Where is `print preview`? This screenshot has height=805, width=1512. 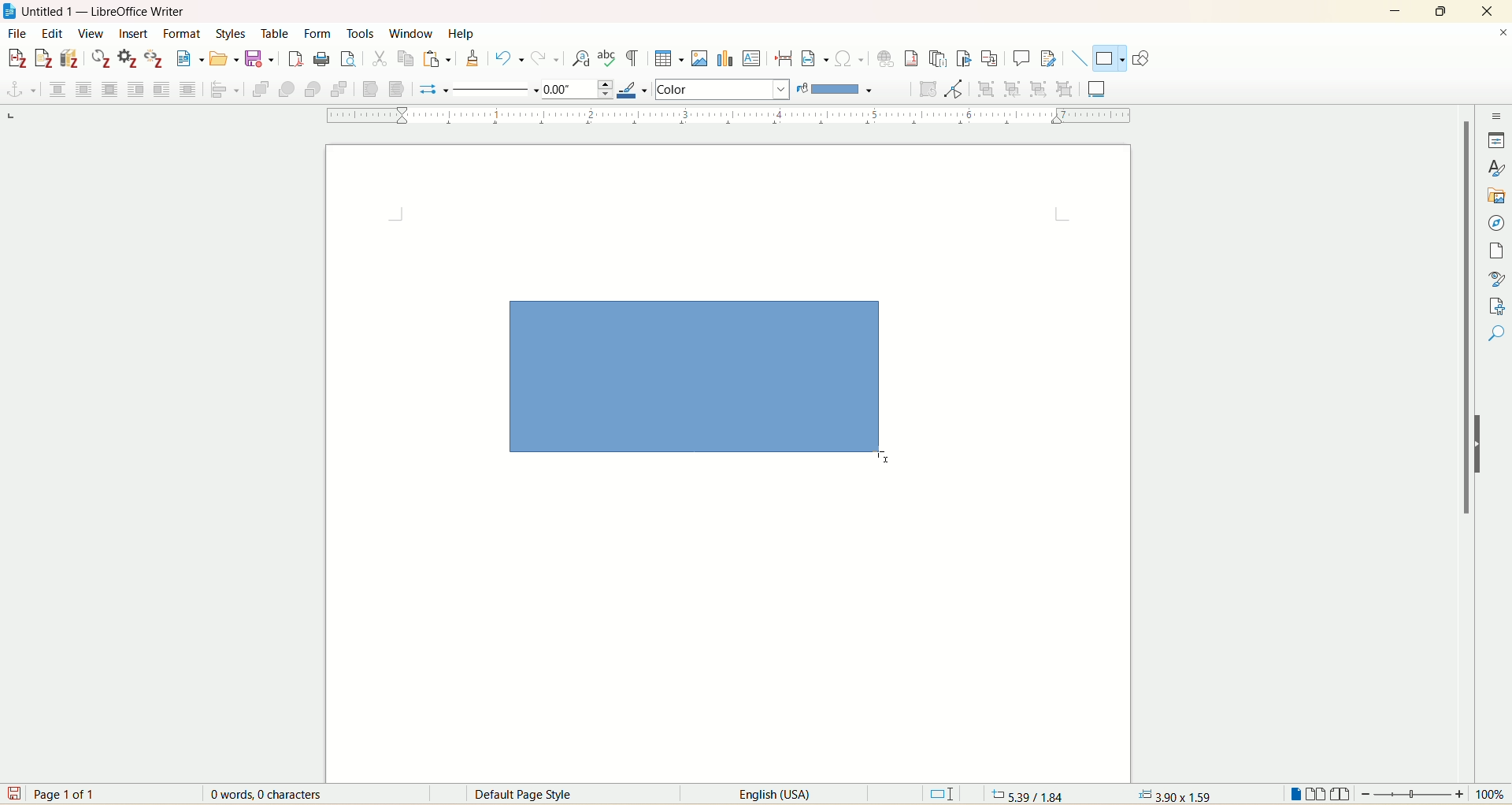
print preview is located at coordinates (349, 58).